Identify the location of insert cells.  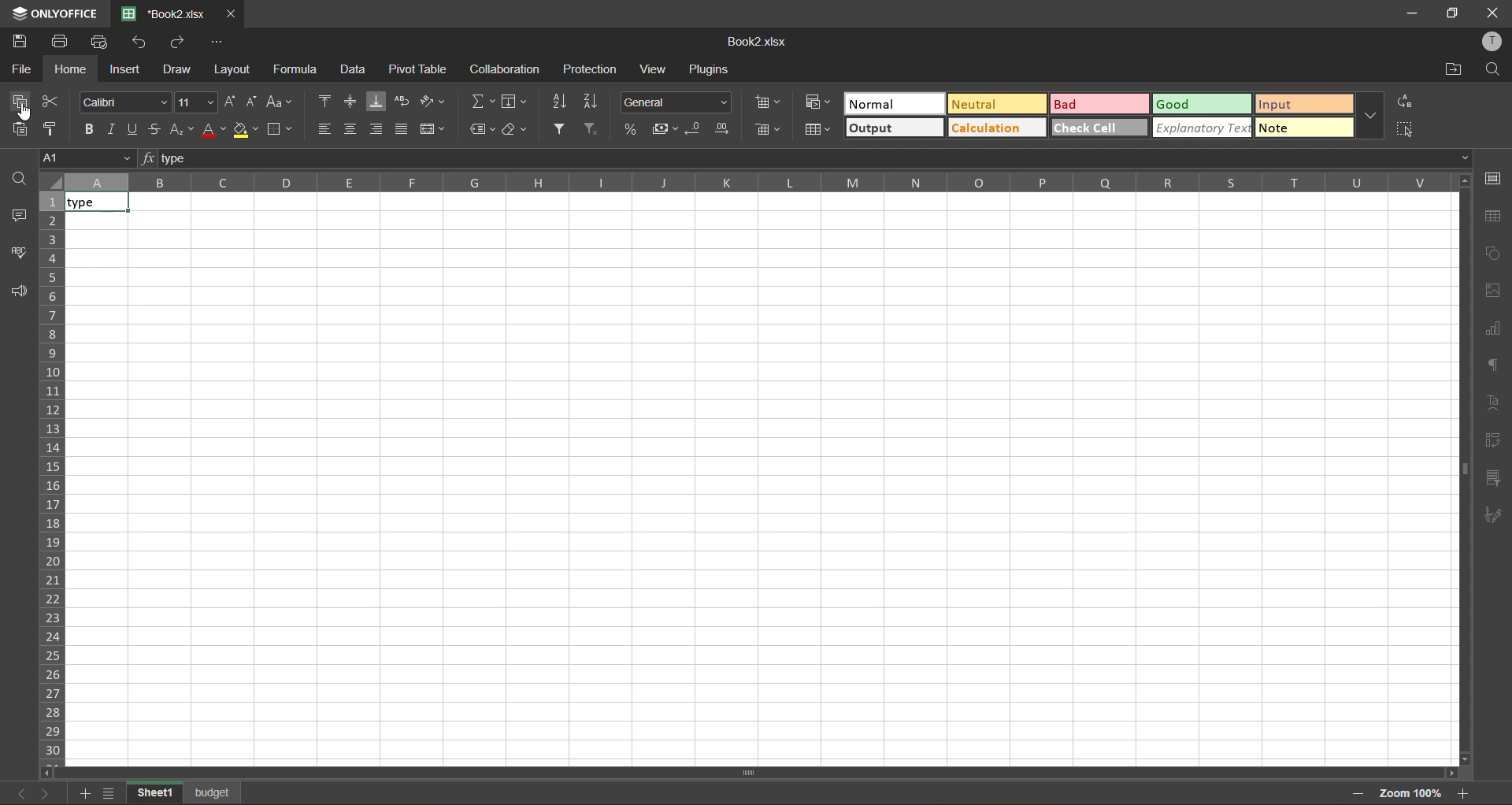
(769, 102).